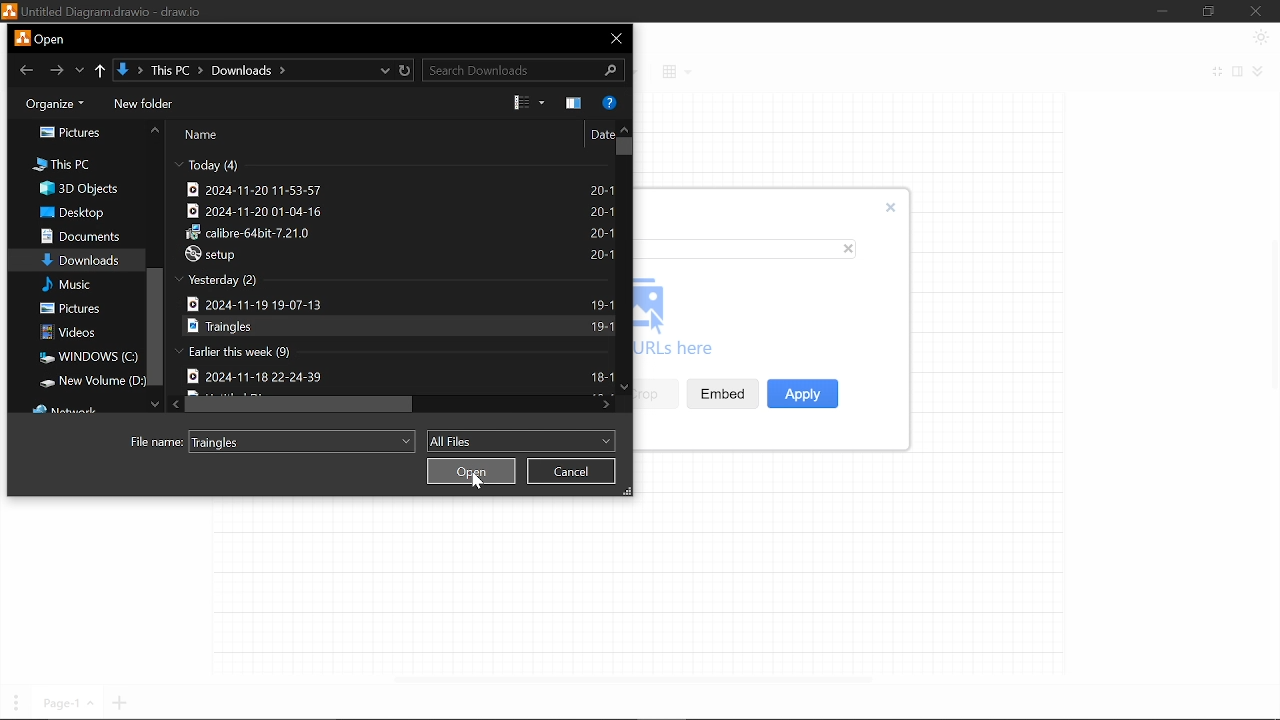 The width and height of the screenshot is (1280, 720). I want to click on Traingles, so click(231, 326).